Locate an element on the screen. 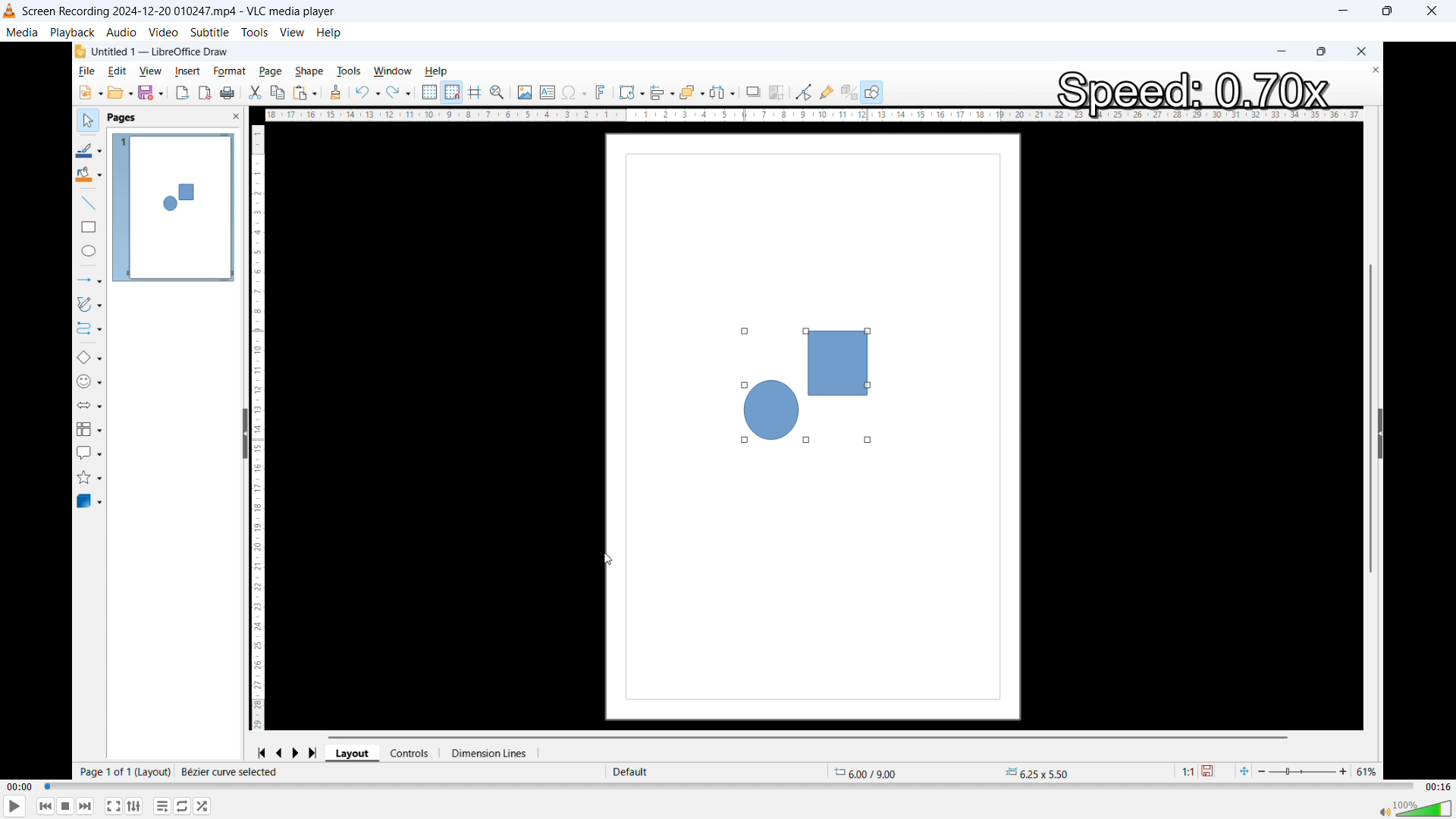 This screenshot has width=1456, height=819. Media  is located at coordinates (23, 32).